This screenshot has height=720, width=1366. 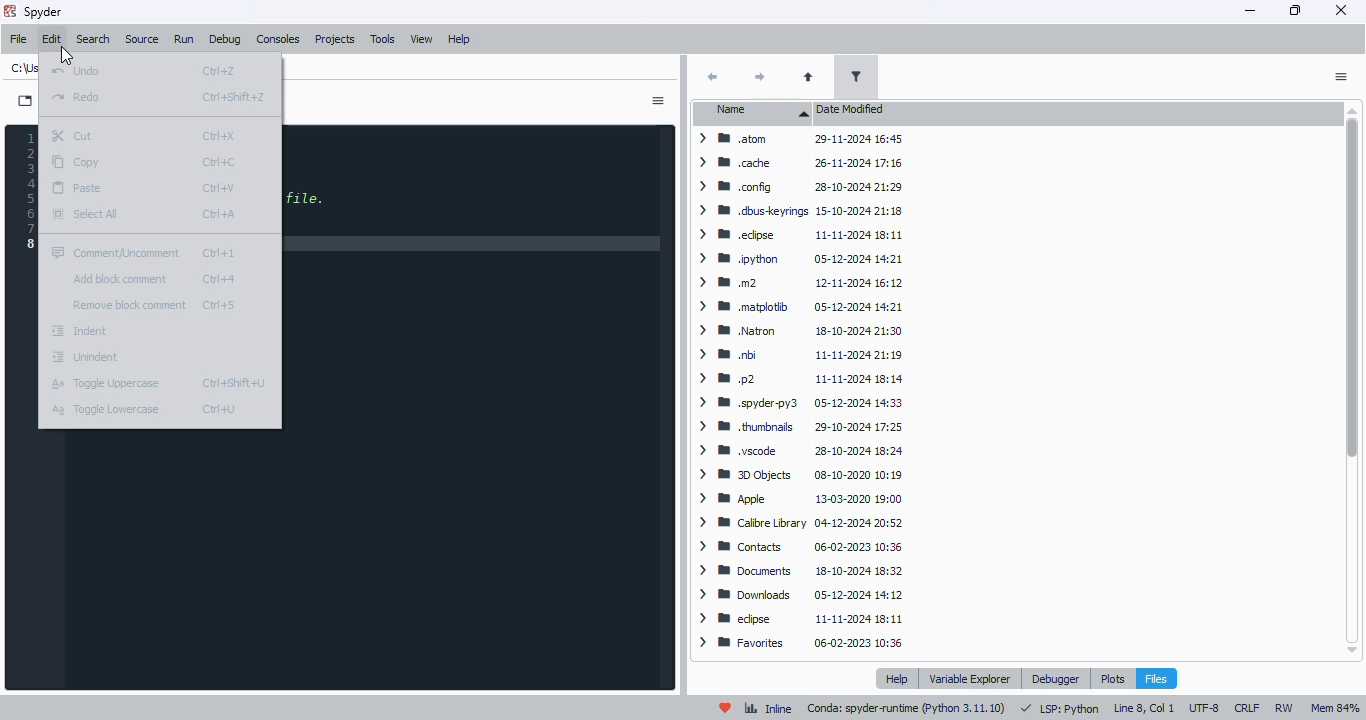 What do you see at coordinates (121, 278) in the screenshot?
I see `add block comment` at bounding box center [121, 278].